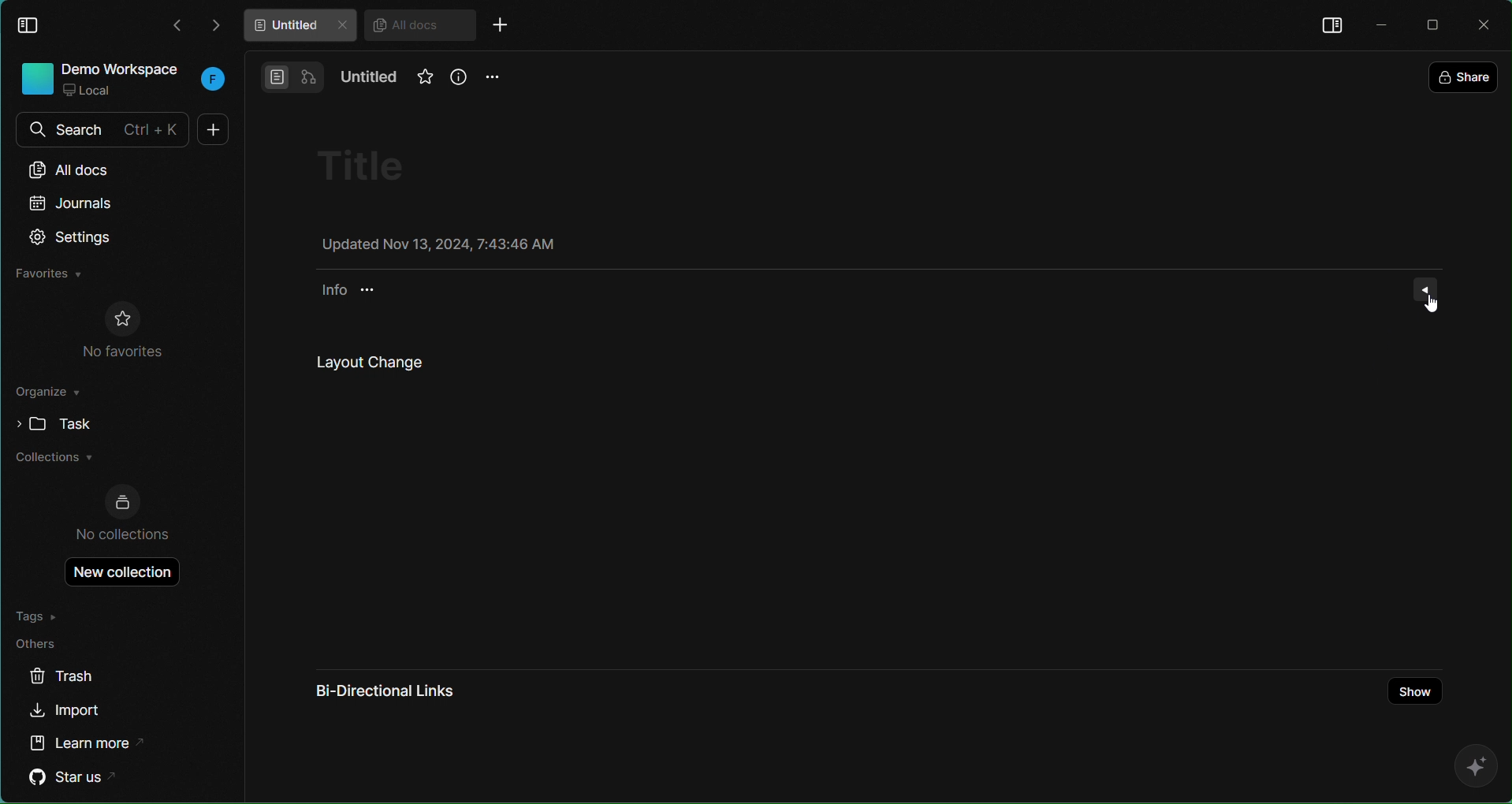 The width and height of the screenshot is (1512, 804). What do you see at coordinates (76, 777) in the screenshot?
I see `) starus` at bounding box center [76, 777].